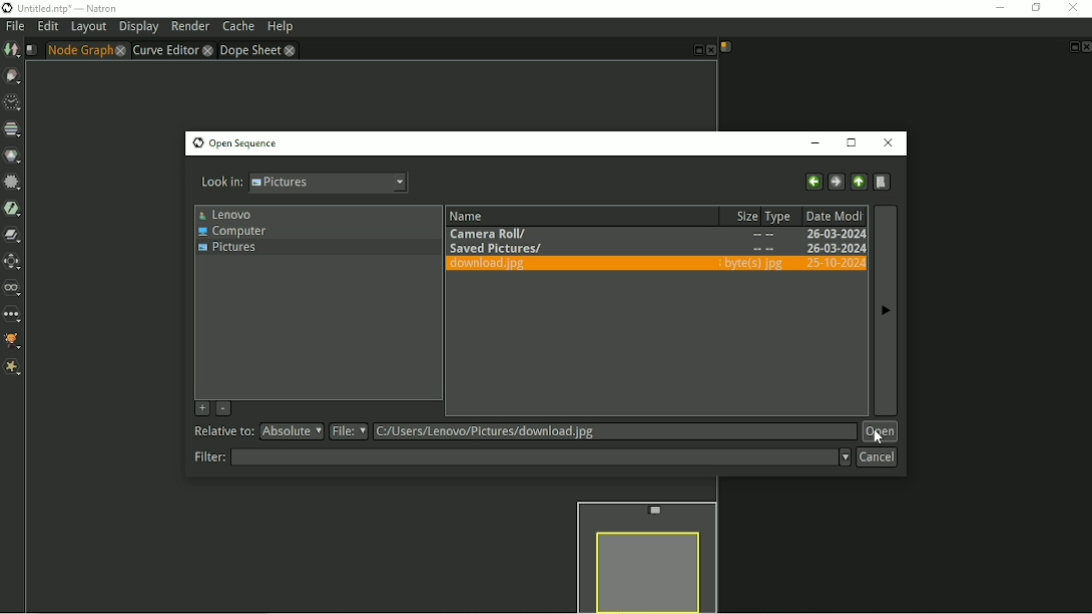 Image resolution: width=1092 pixels, height=614 pixels. What do you see at coordinates (14, 343) in the screenshot?
I see `GMIC` at bounding box center [14, 343].